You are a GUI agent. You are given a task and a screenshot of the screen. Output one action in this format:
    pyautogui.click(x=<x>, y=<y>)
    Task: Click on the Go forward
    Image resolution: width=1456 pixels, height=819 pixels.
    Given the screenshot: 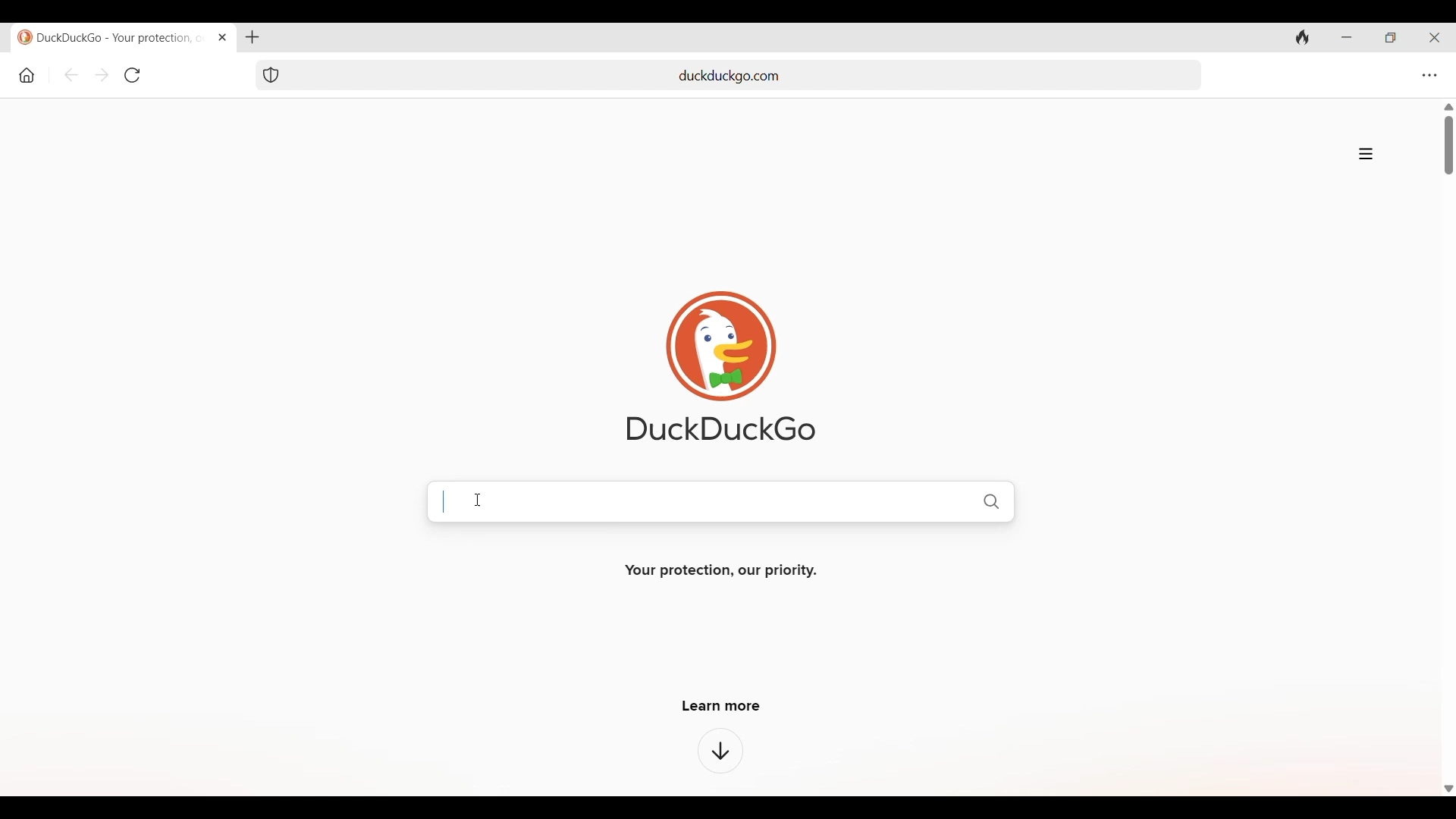 What is the action you would take?
    pyautogui.click(x=102, y=74)
    